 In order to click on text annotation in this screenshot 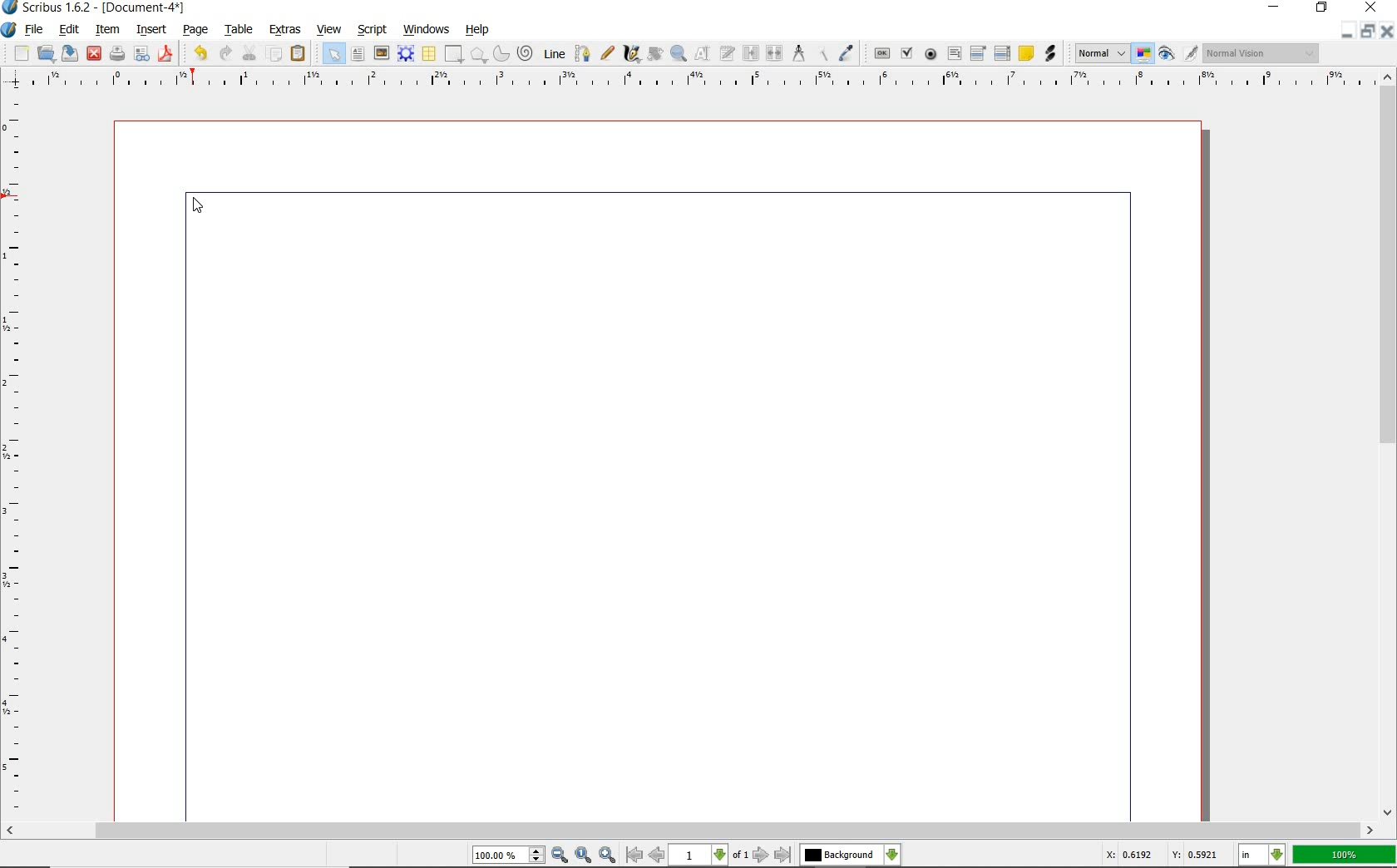, I will do `click(1026, 53)`.